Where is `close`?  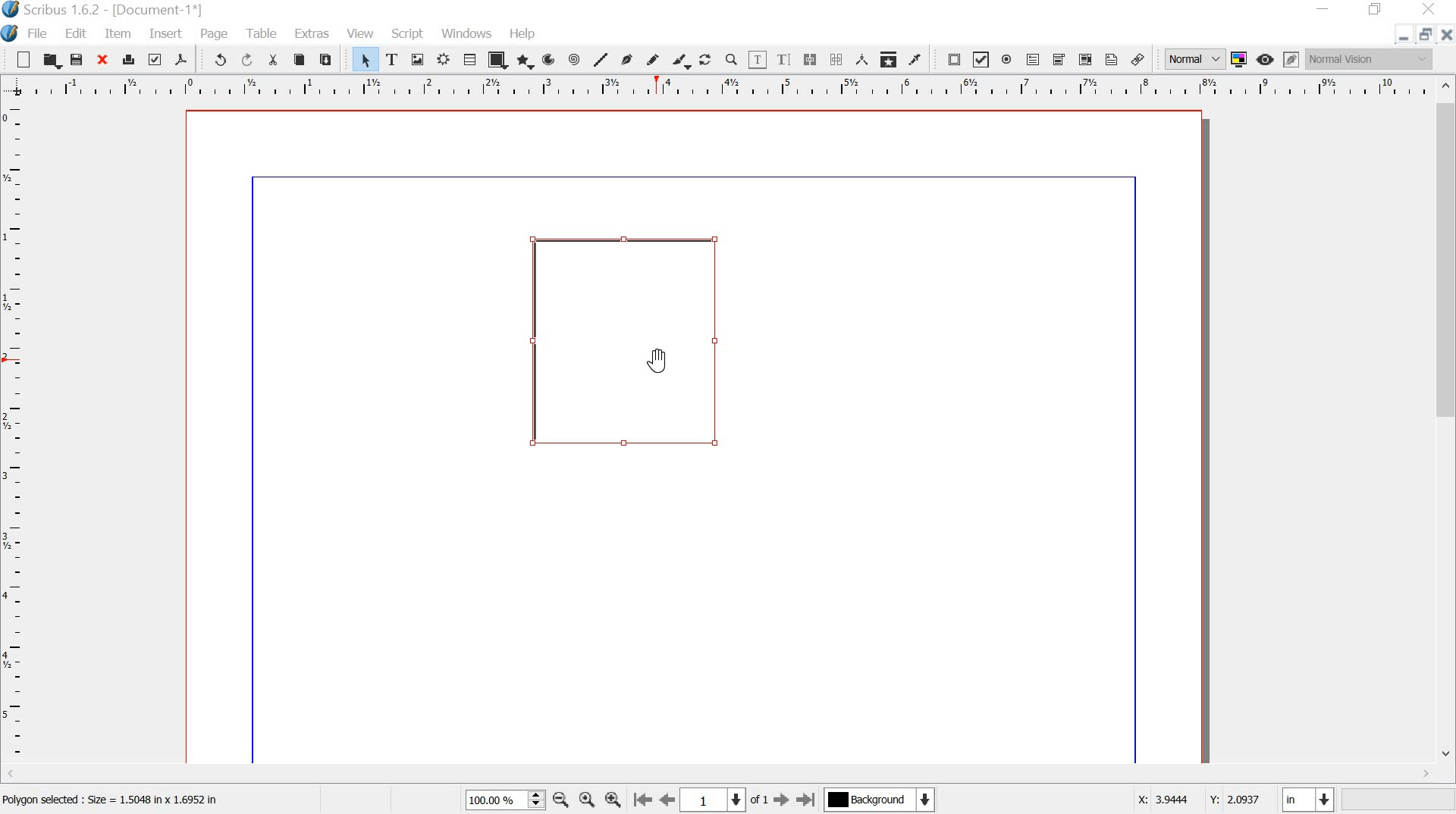
close is located at coordinates (104, 60).